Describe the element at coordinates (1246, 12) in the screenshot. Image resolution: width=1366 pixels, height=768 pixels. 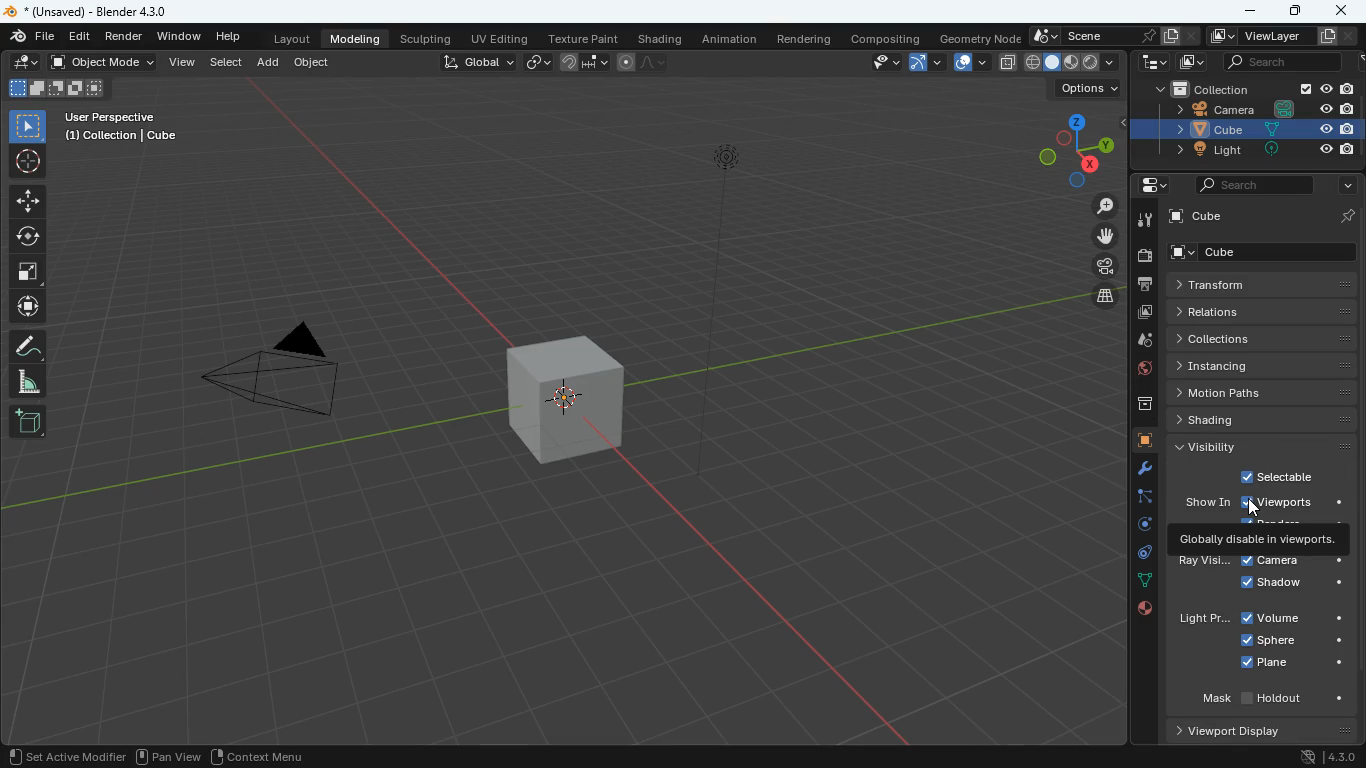
I see `minimize` at that location.